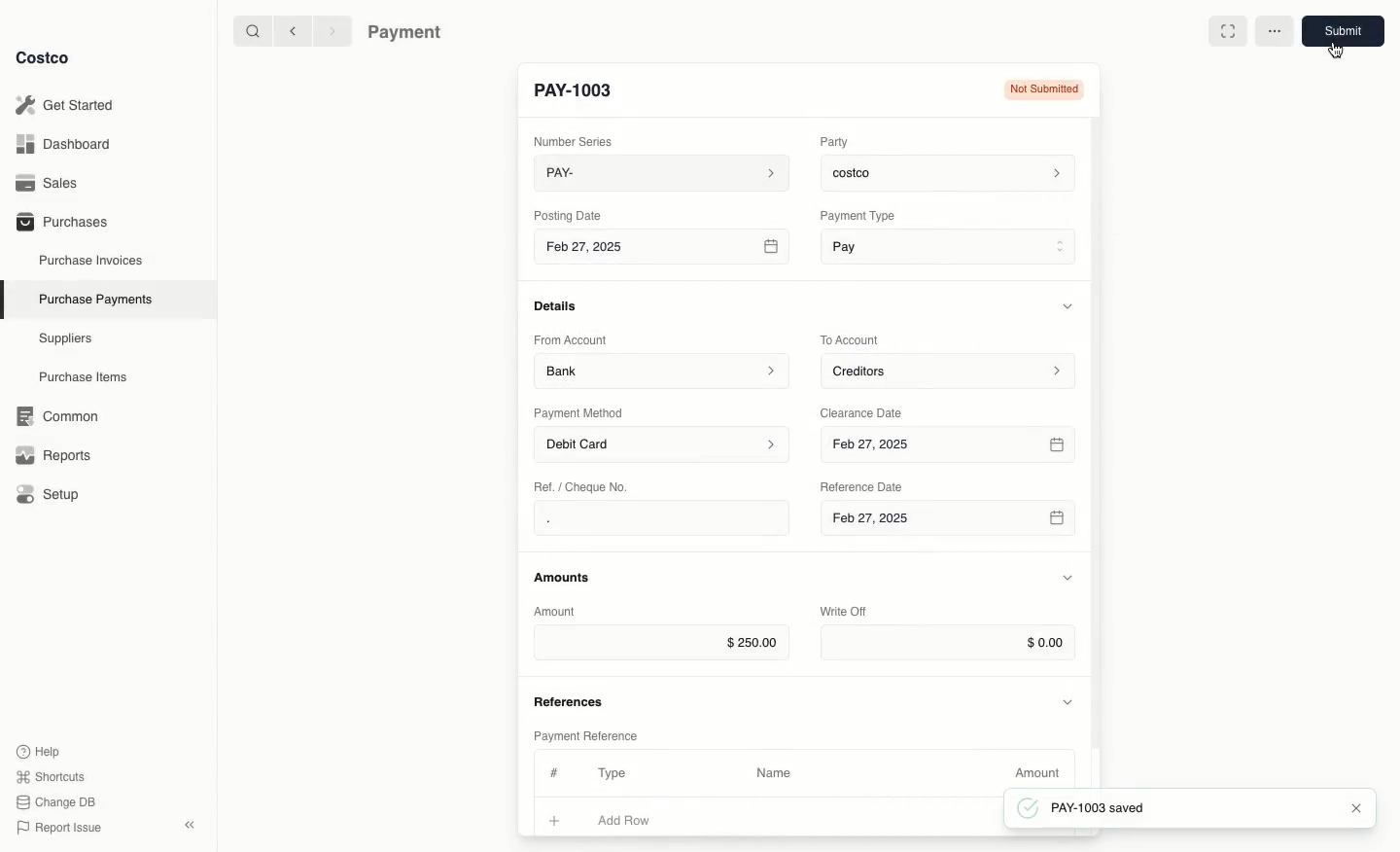 This screenshot has height=852, width=1400. Describe the element at coordinates (953, 170) in the screenshot. I see `costco` at that location.